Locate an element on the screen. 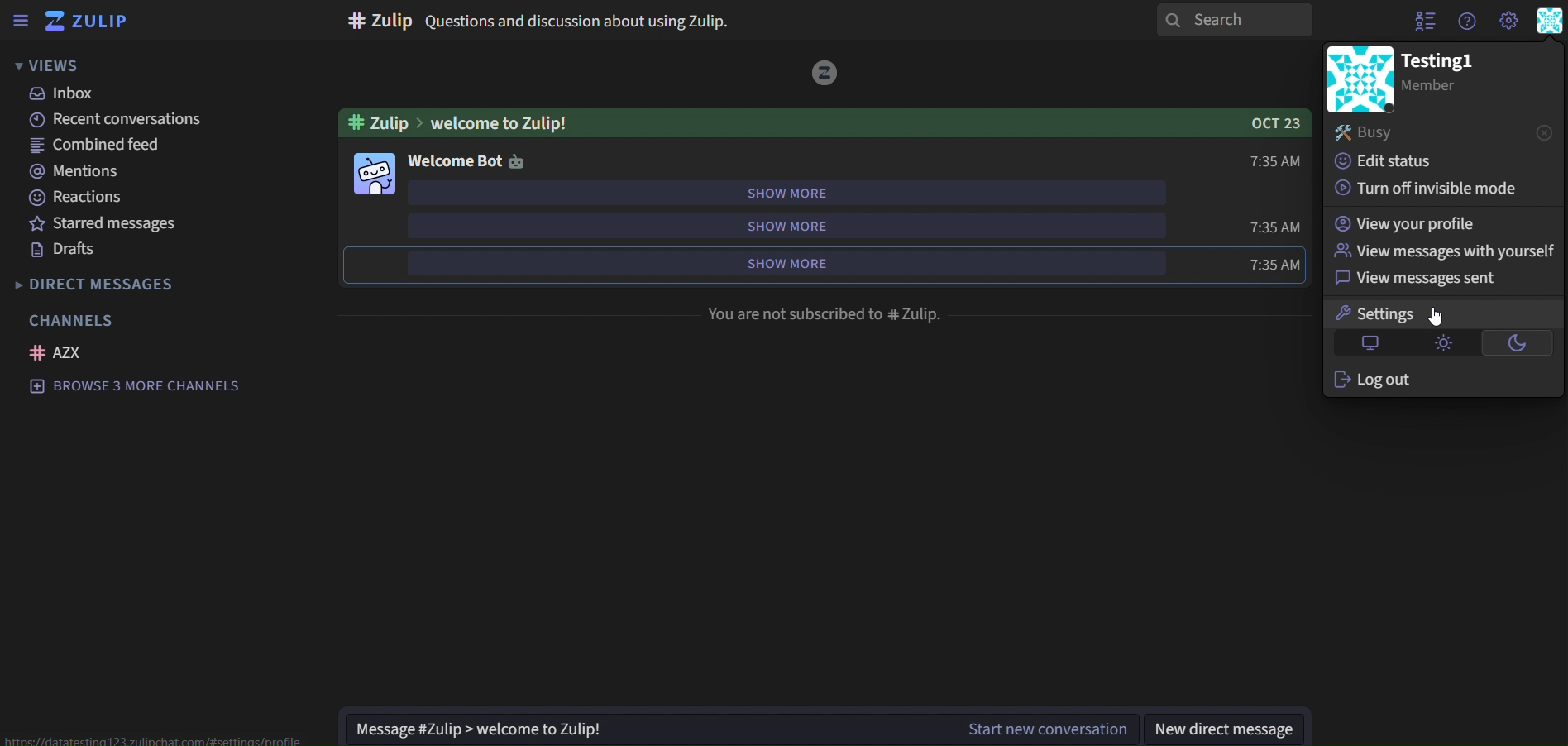 This screenshot has width=1568, height=746. channels is located at coordinates (79, 322).